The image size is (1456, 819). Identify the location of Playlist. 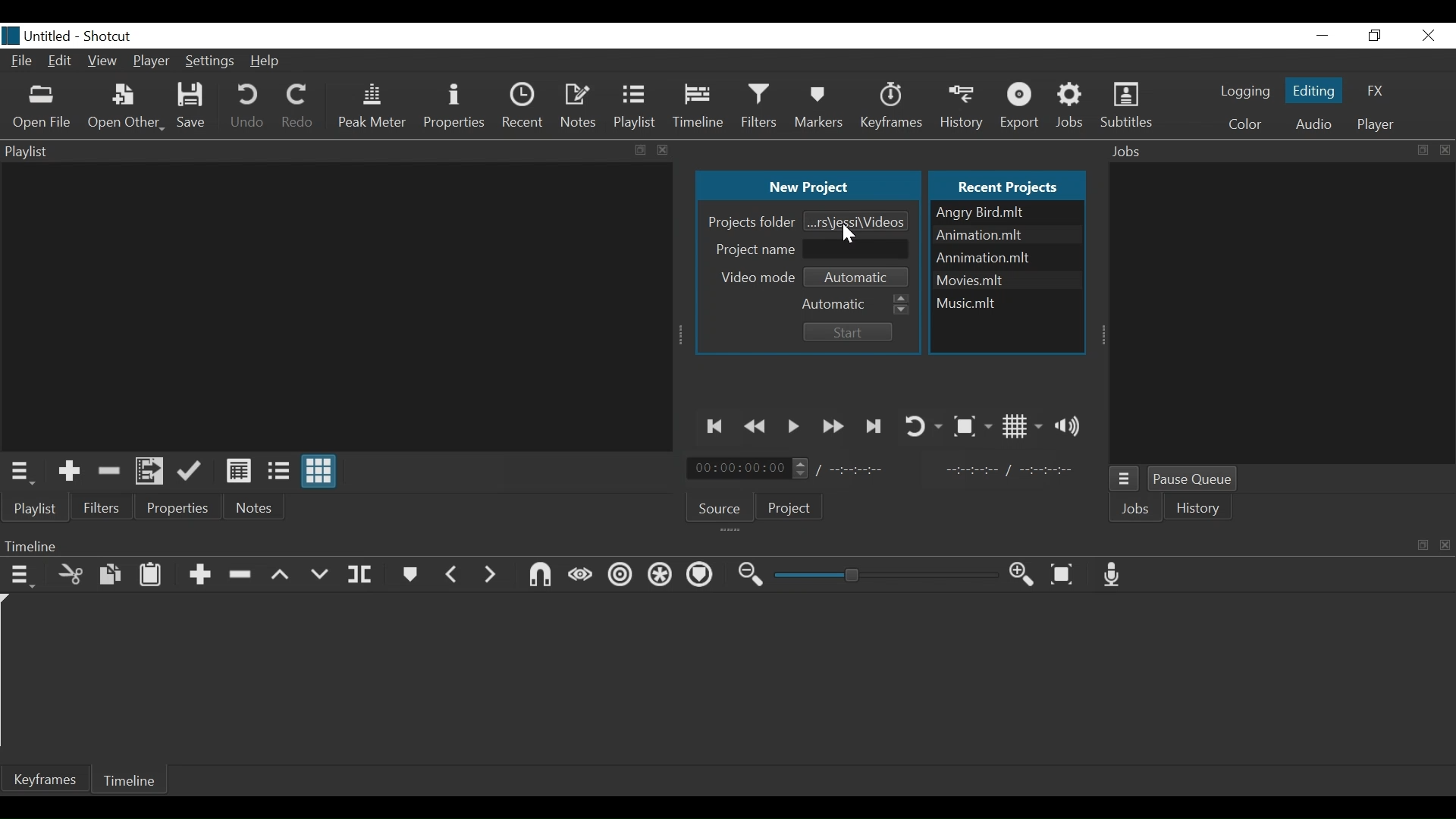
(636, 106).